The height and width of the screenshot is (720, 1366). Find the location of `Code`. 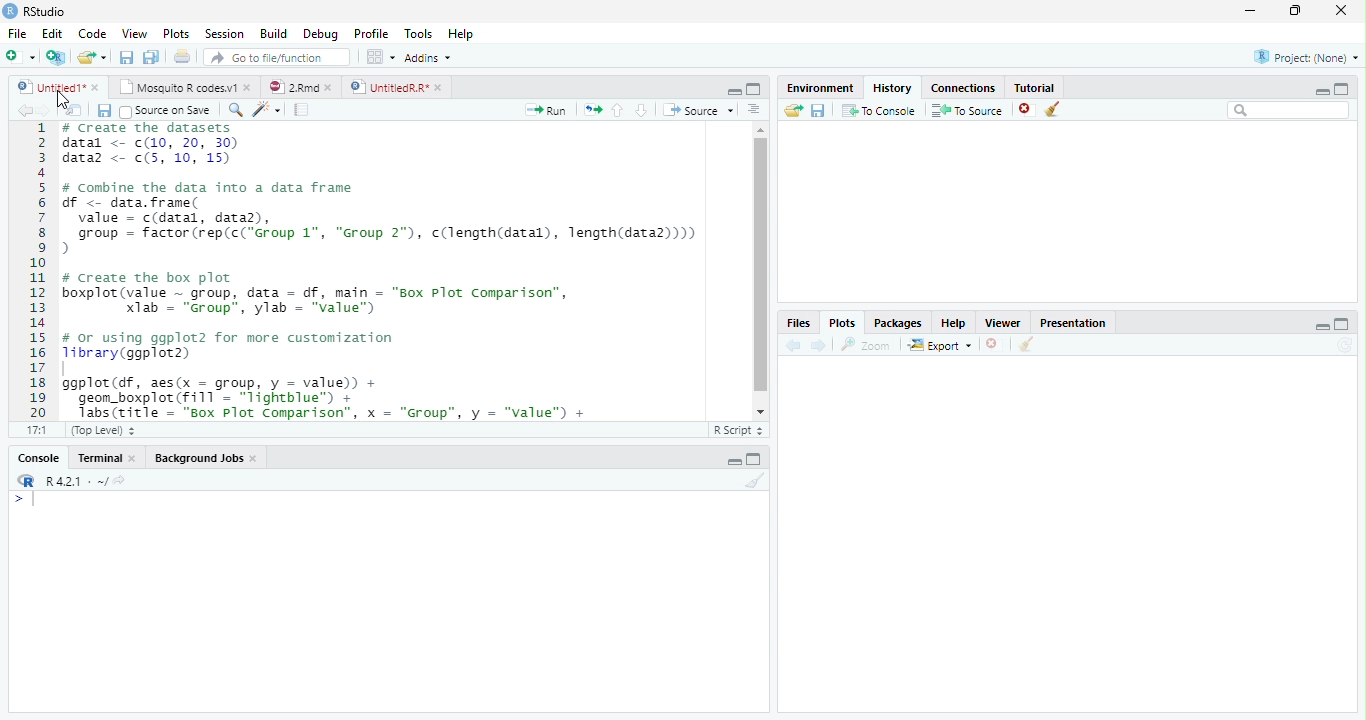

Code is located at coordinates (91, 34).